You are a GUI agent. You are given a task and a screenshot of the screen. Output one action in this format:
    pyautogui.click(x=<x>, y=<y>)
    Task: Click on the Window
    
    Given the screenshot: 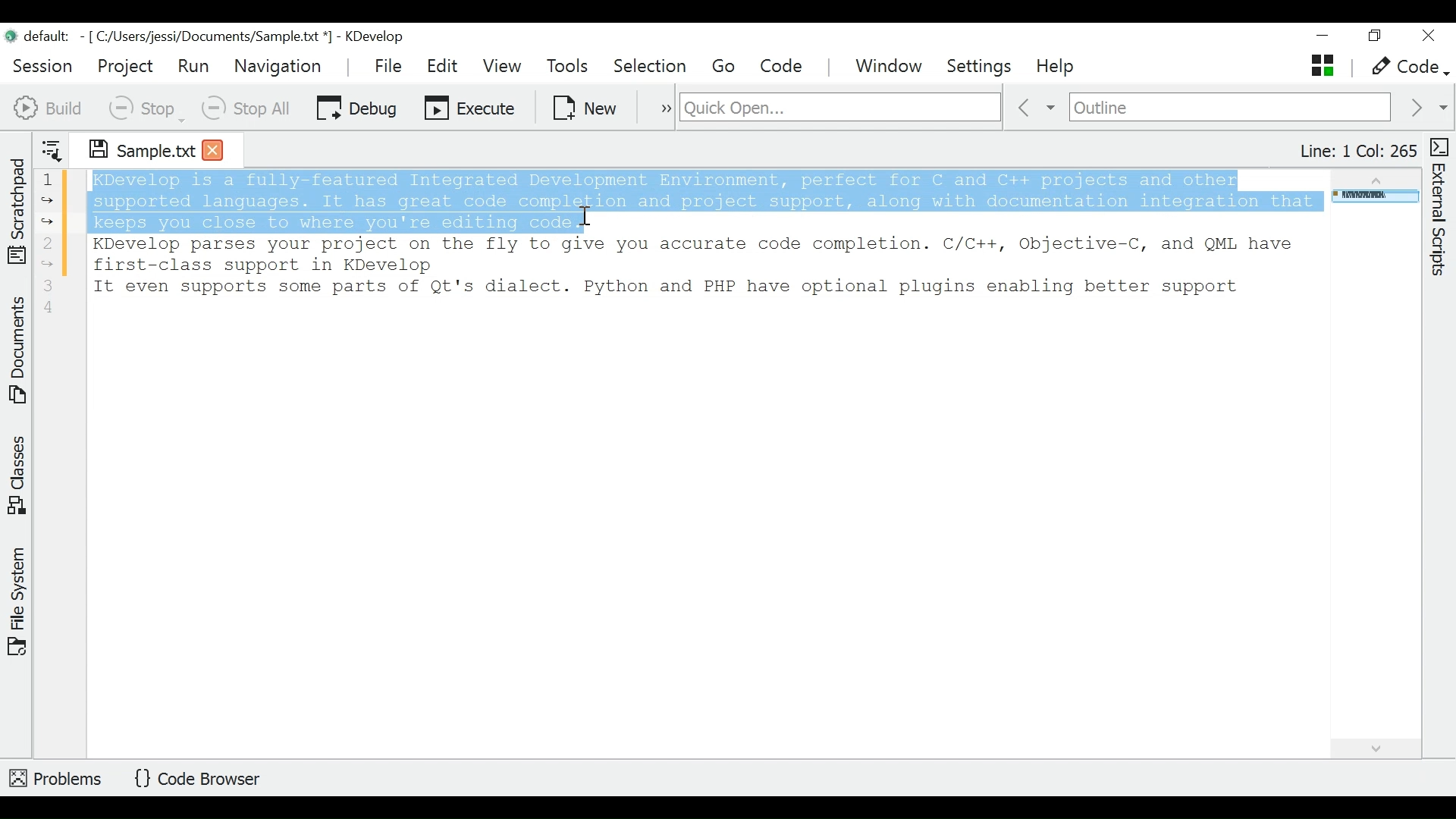 What is the action you would take?
    pyautogui.click(x=891, y=67)
    